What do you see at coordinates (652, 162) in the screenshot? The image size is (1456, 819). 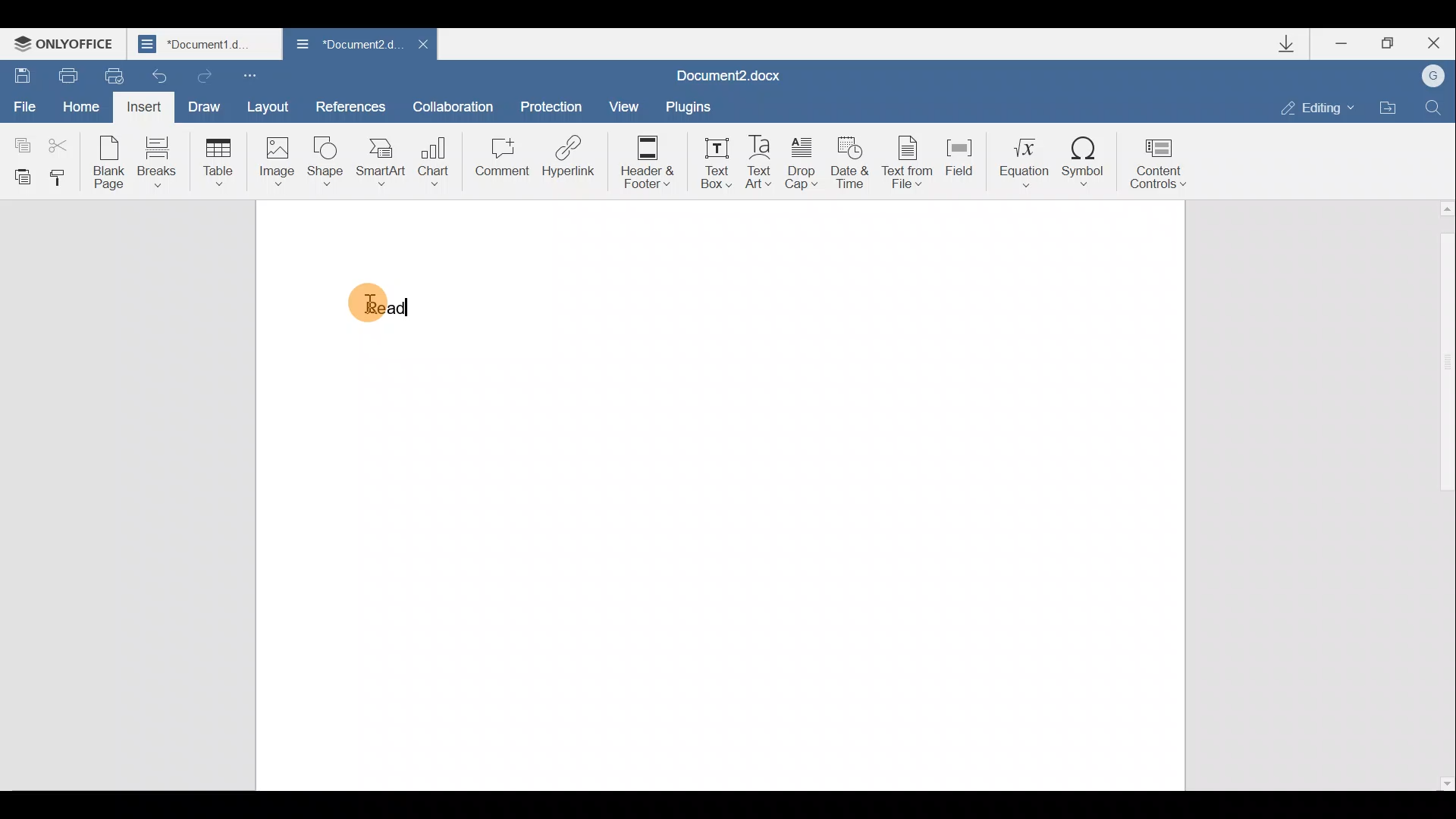 I see `Header & footer` at bounding box center [652, 162].